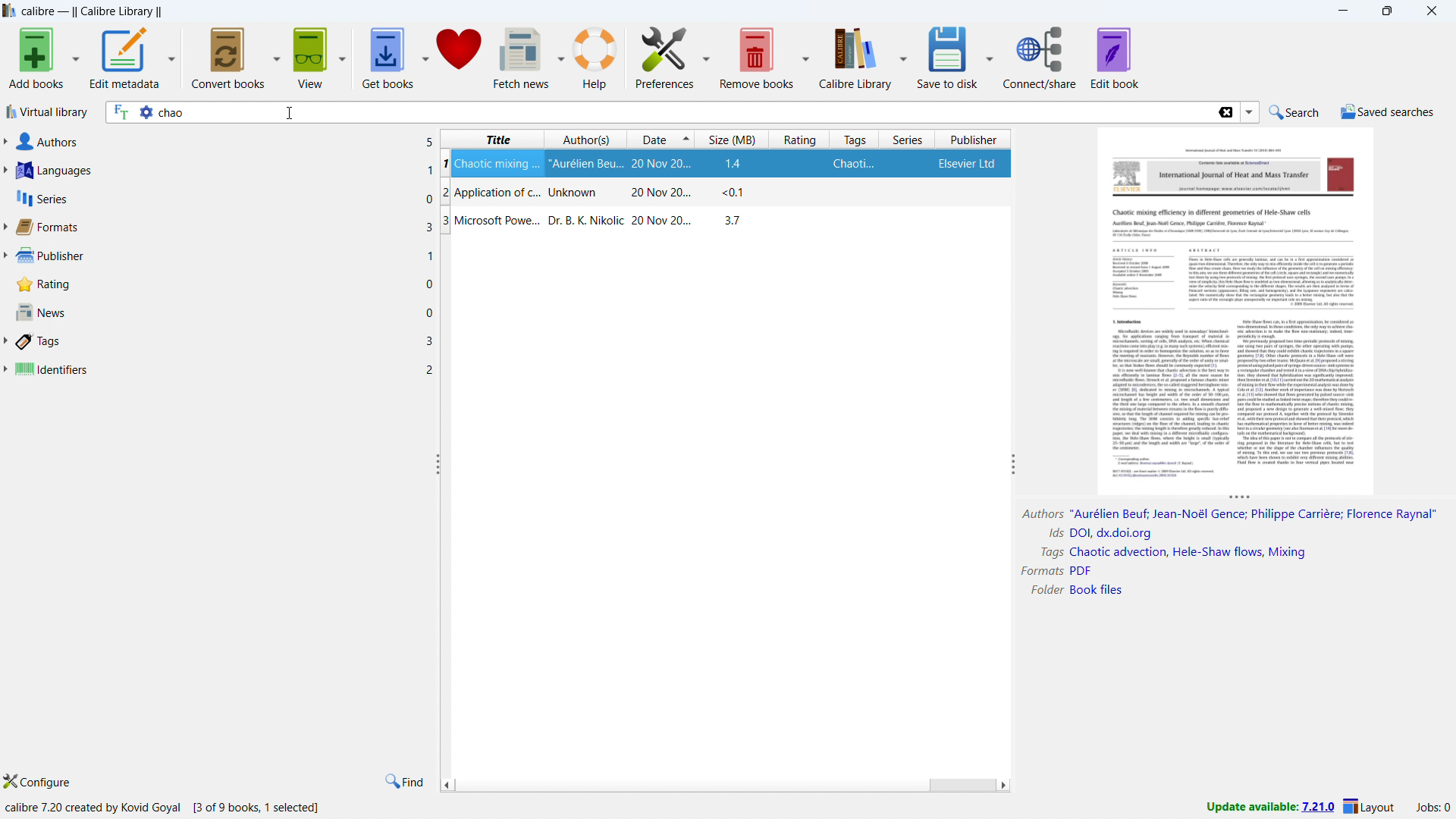  What do you see at coordinates (144, 112) in the screenshot?
I see `advance search` at bounding box center [144, 112].